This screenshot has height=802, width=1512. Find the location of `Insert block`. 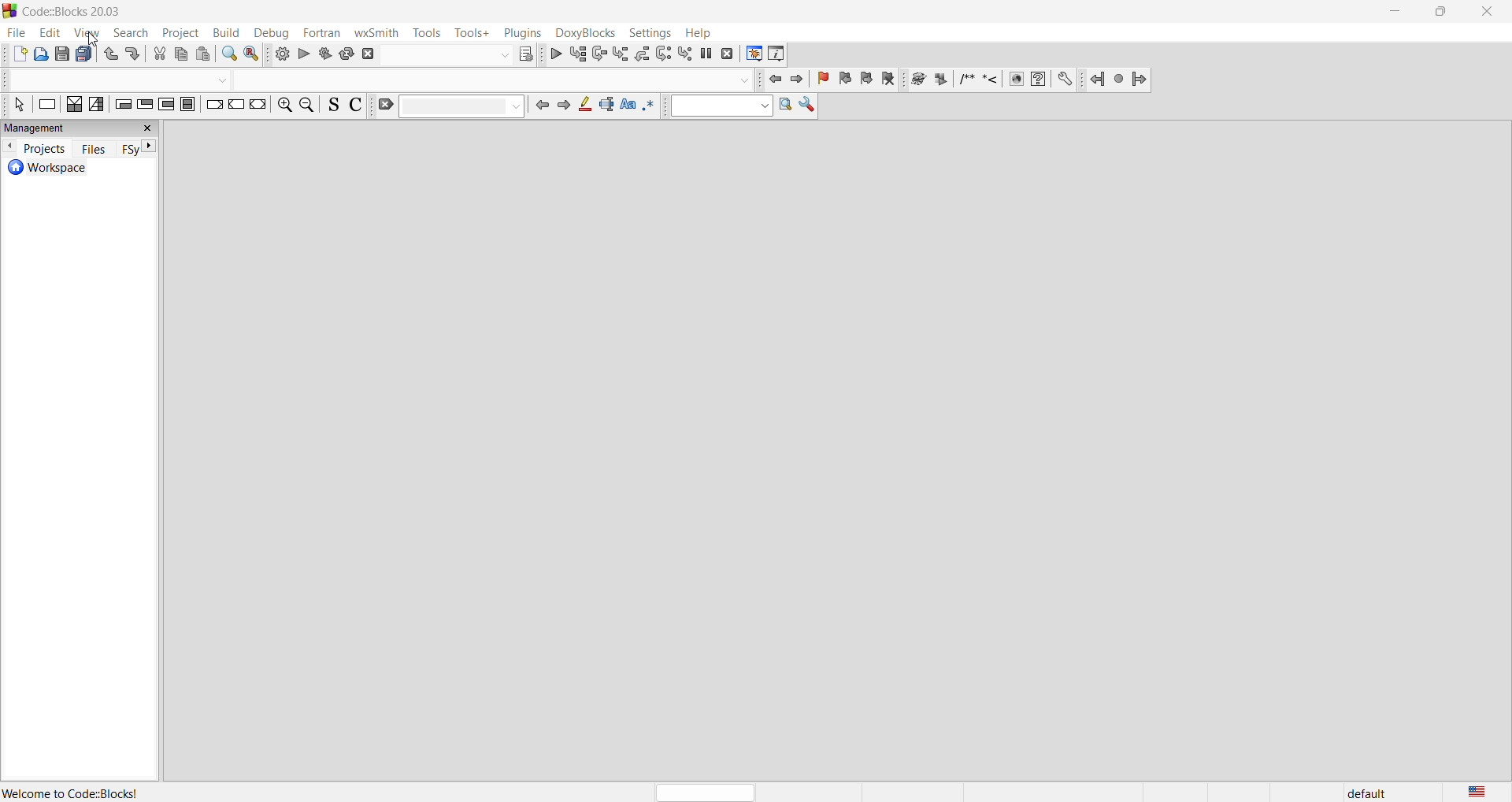

Insert block is located at coordinates (965, 79).